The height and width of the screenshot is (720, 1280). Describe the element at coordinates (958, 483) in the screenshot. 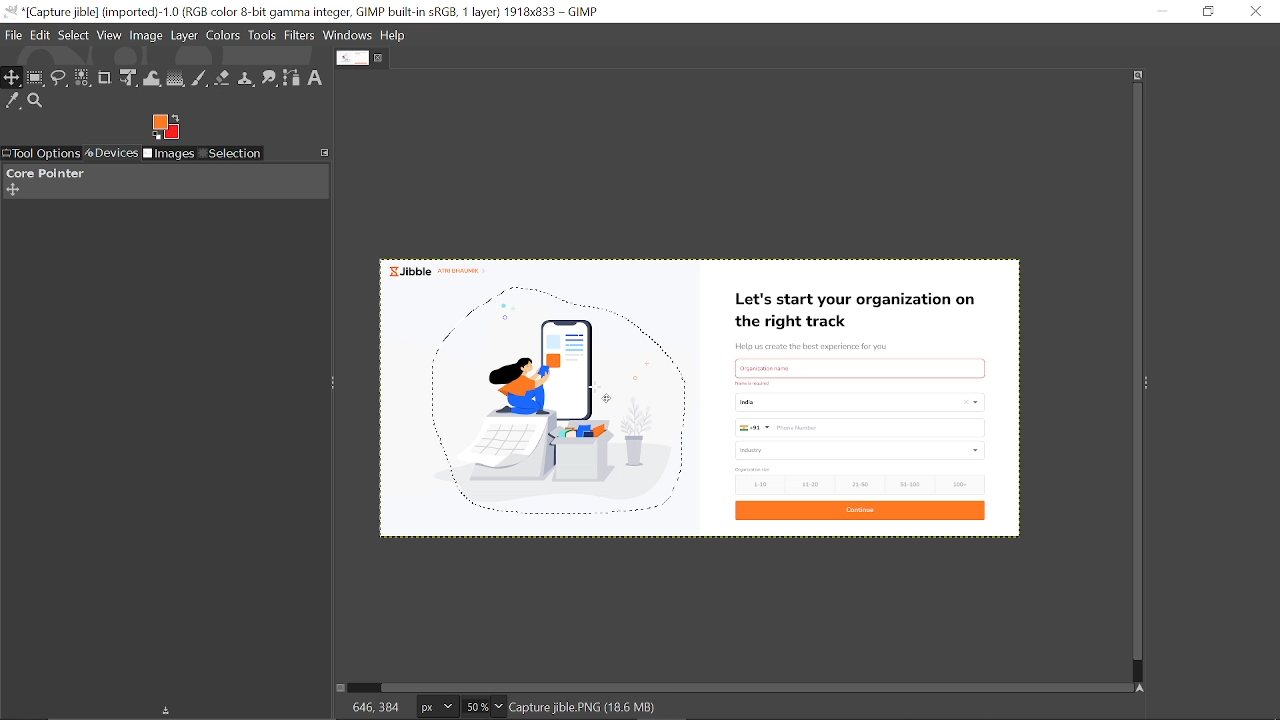

I see `100+` at that location.